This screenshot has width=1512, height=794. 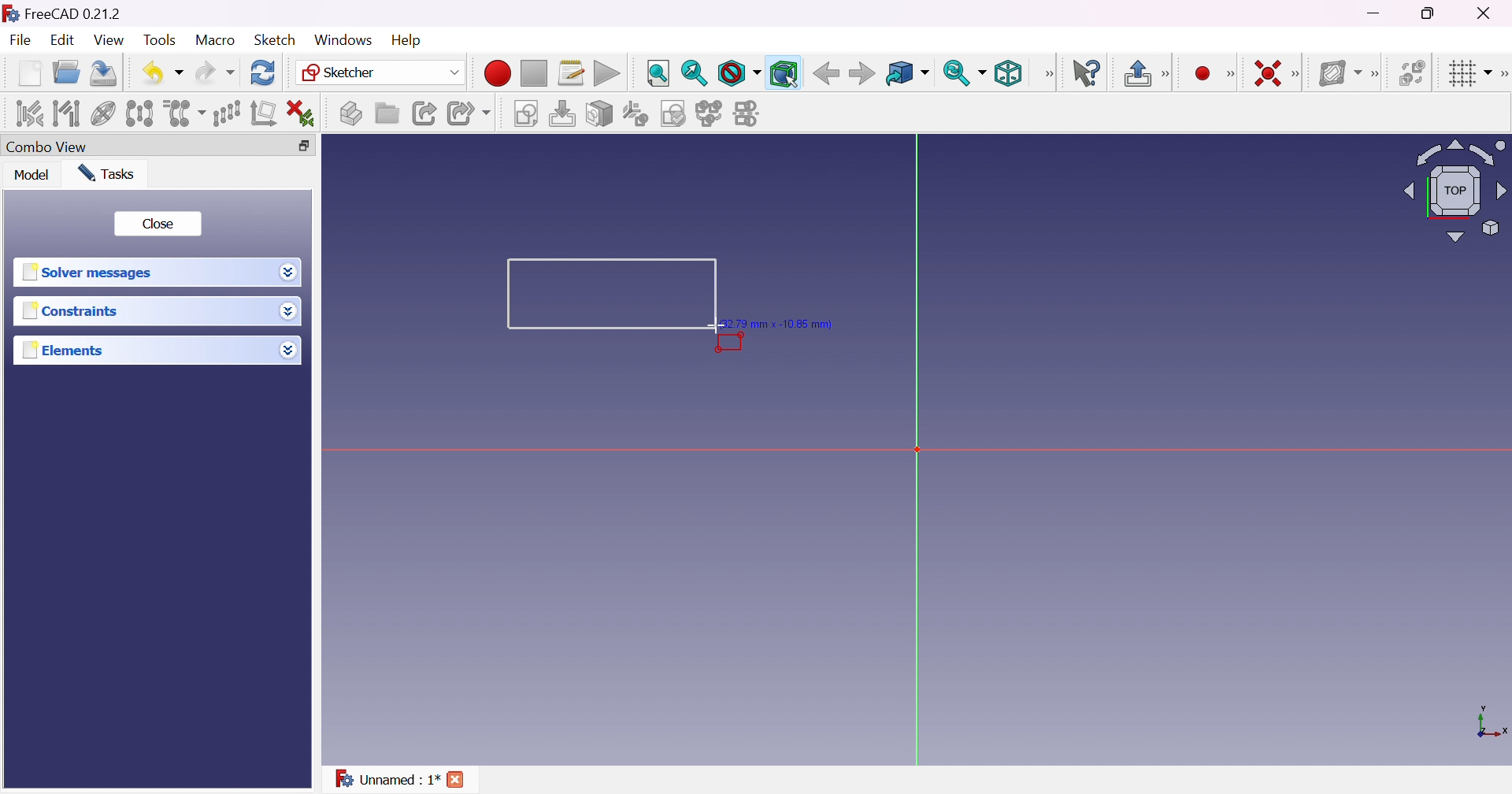 I want to click on Edit sketch, so click(x=561, y=113).